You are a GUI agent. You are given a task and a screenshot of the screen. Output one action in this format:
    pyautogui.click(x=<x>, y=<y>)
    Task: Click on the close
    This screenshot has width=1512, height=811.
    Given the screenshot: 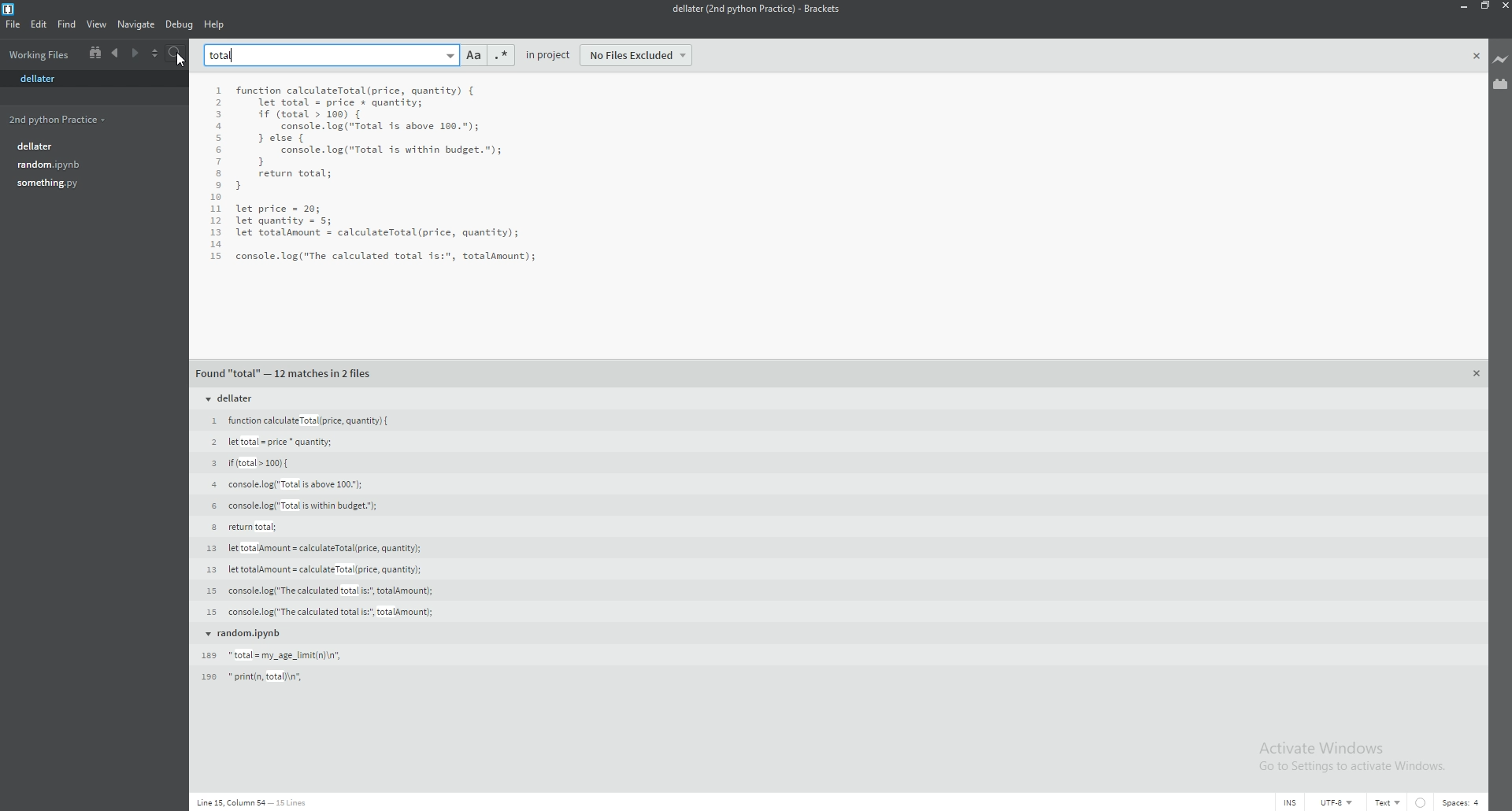 What is the action you would take?
    pyautogui.click(x=1477, y=56)
    